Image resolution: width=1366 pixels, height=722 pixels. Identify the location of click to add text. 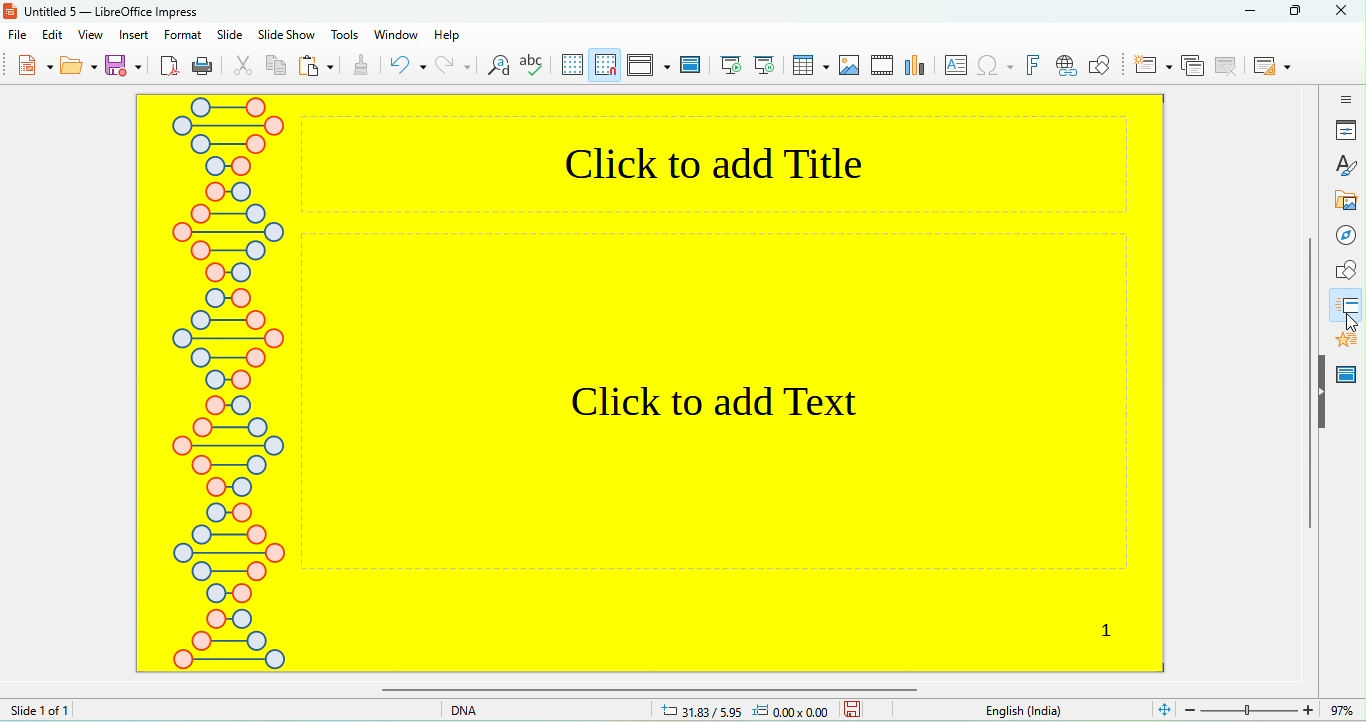
(710, 398).